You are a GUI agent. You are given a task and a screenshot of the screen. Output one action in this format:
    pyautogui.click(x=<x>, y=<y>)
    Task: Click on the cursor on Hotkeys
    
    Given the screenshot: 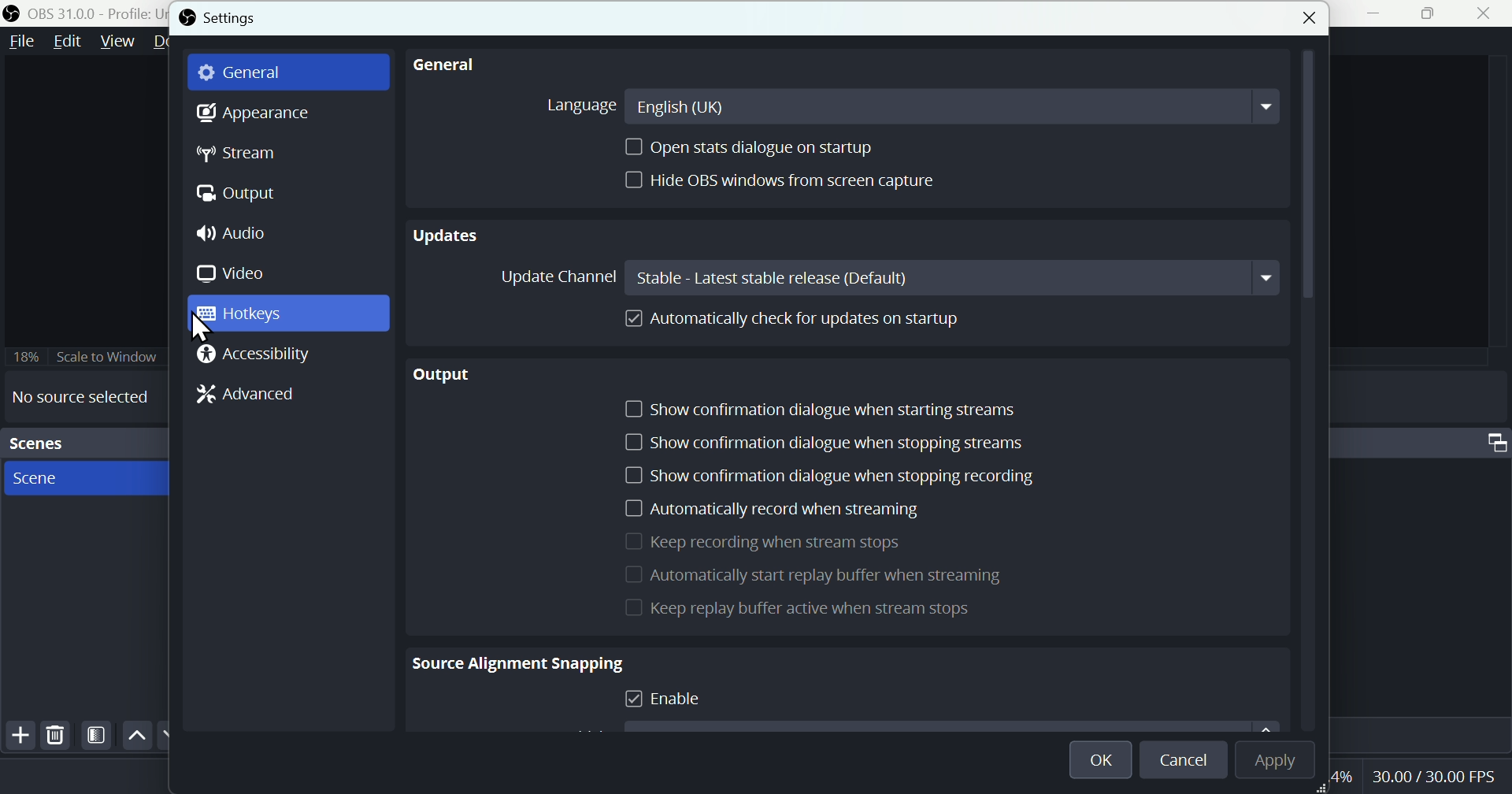 What is the action you would take?
    pyautogui.click(x=202, y=328)
    